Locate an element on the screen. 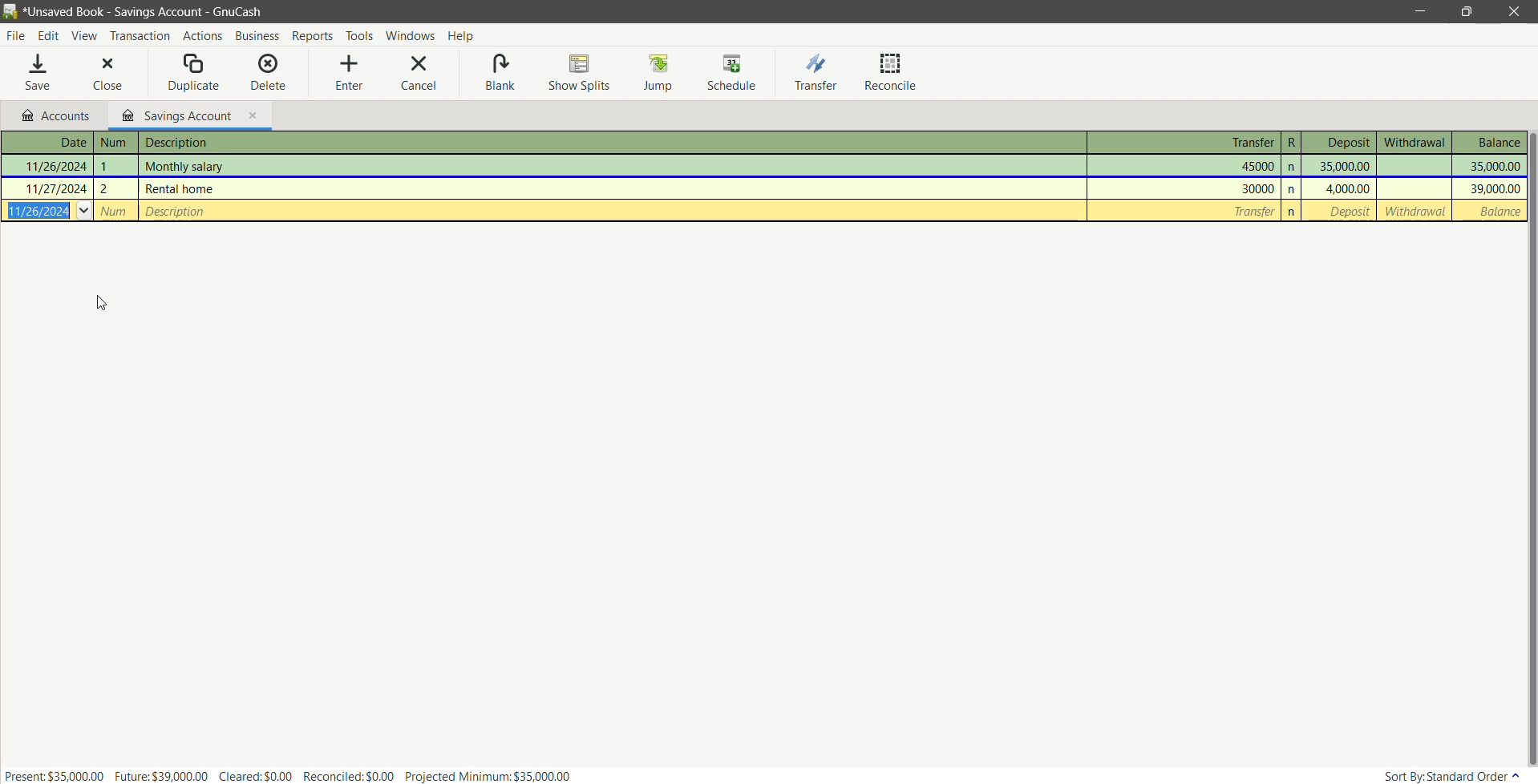 The height and width of the screenshot is (784, 1538). n is located at coordinates (1294, 210).